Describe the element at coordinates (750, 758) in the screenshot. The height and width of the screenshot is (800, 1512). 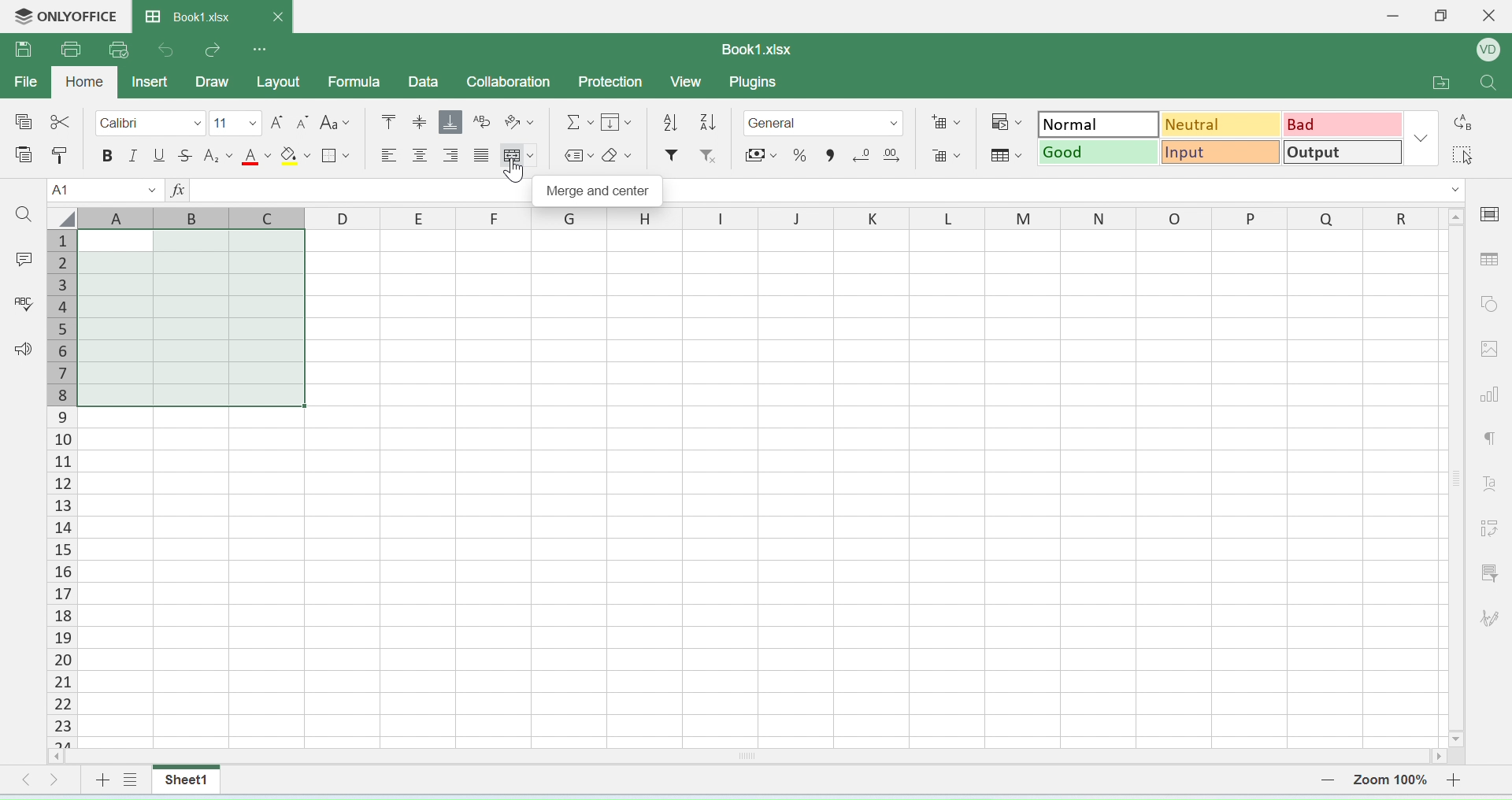
I see `horizontal scroll bar` at that location.